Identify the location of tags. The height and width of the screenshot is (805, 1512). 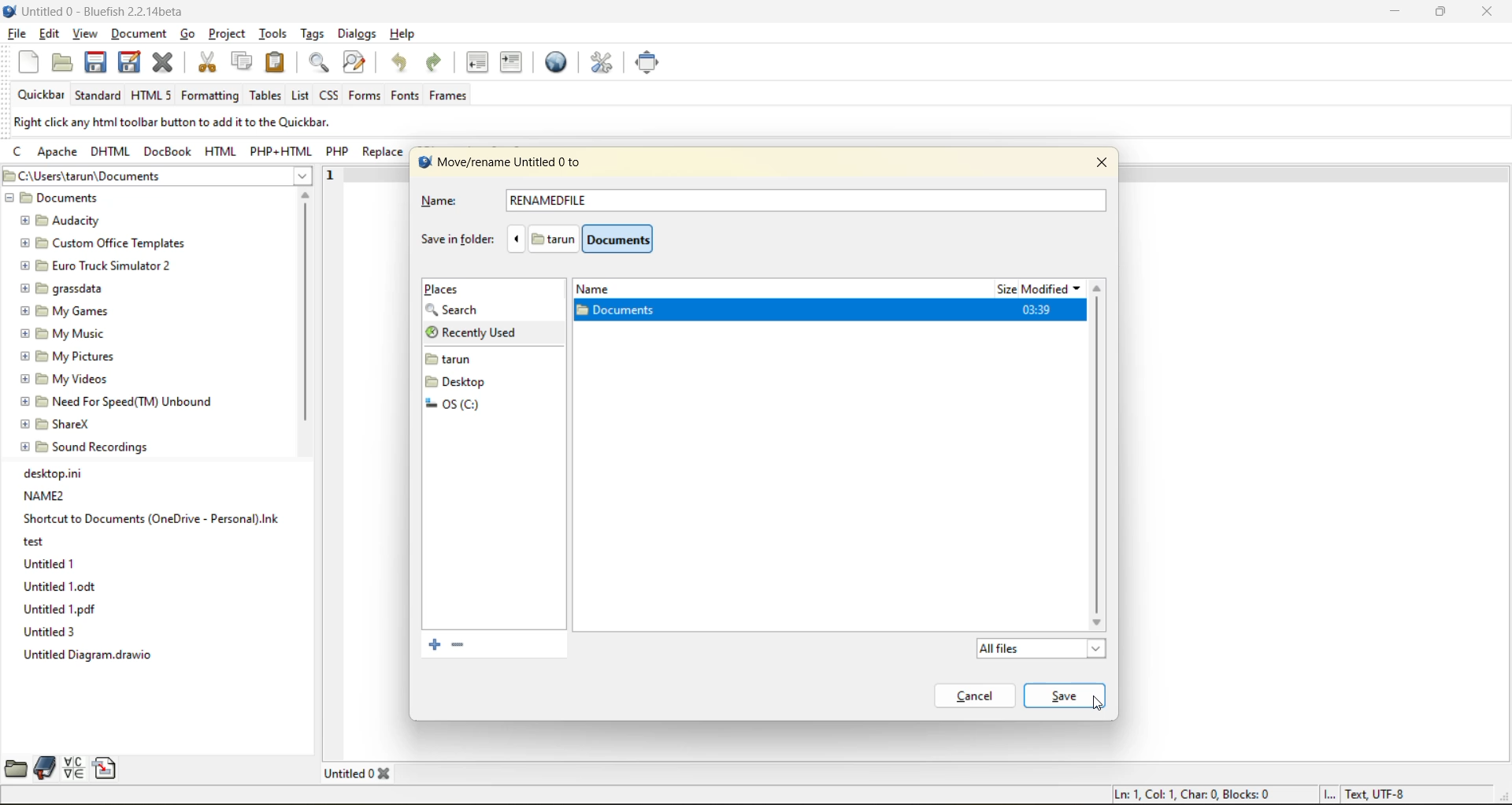
(315, 35).